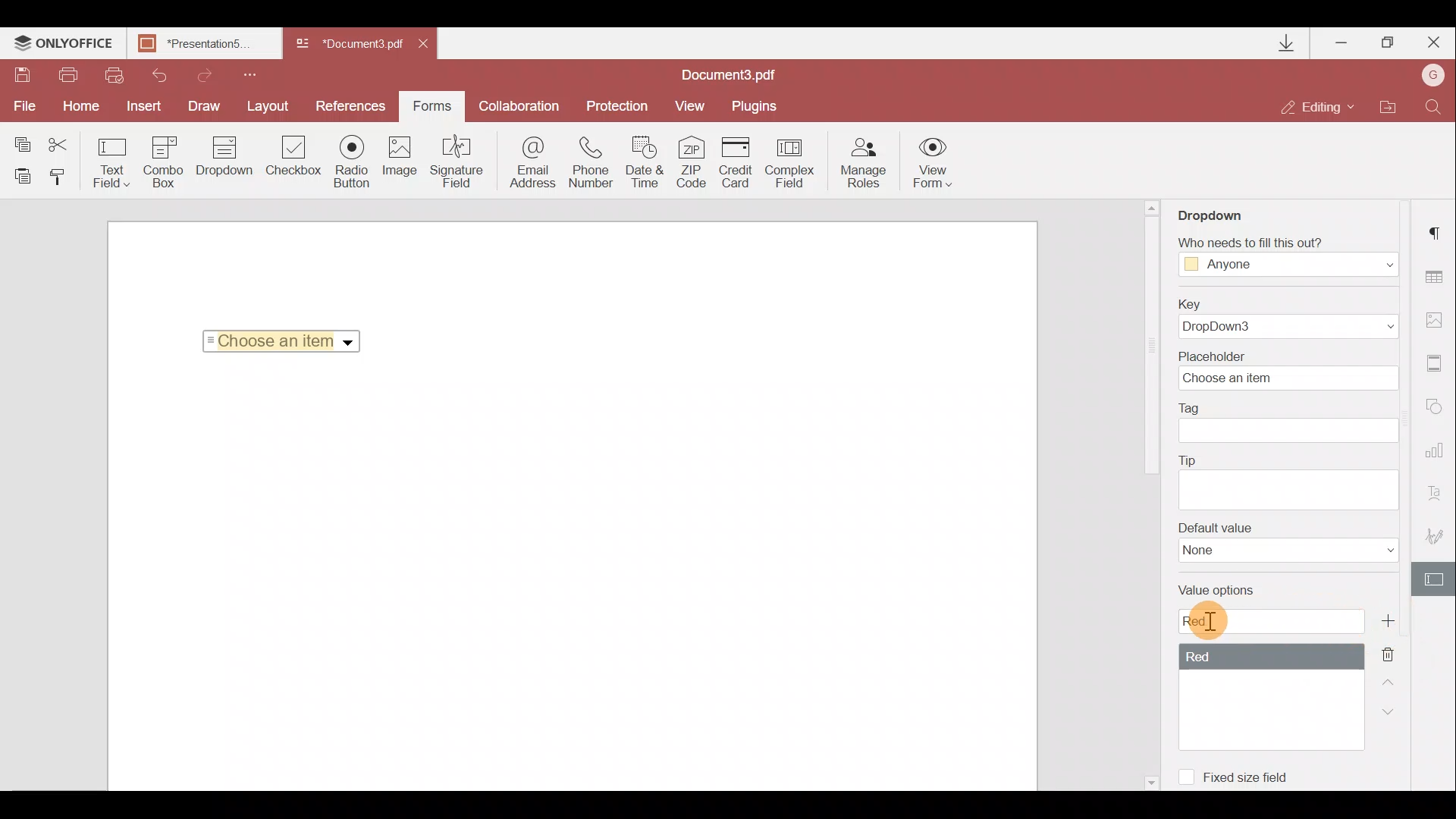 Image resolution: width=1456 pixels, height=819 pixels. Describe the element at coordinates (277, 340) in the screenshot. I see `Selected Item` at that location.